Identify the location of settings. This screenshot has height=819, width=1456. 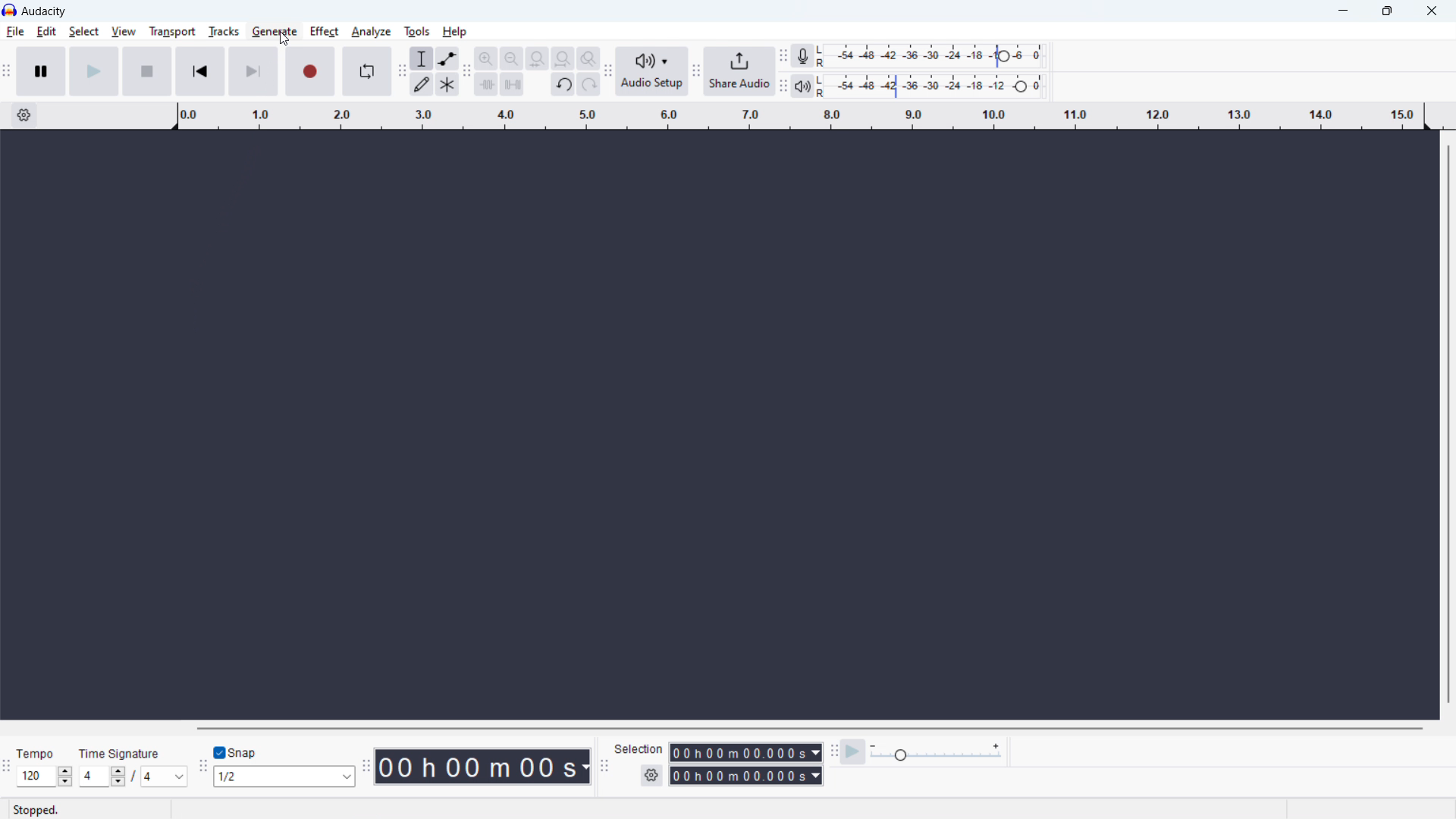
(651, 776).